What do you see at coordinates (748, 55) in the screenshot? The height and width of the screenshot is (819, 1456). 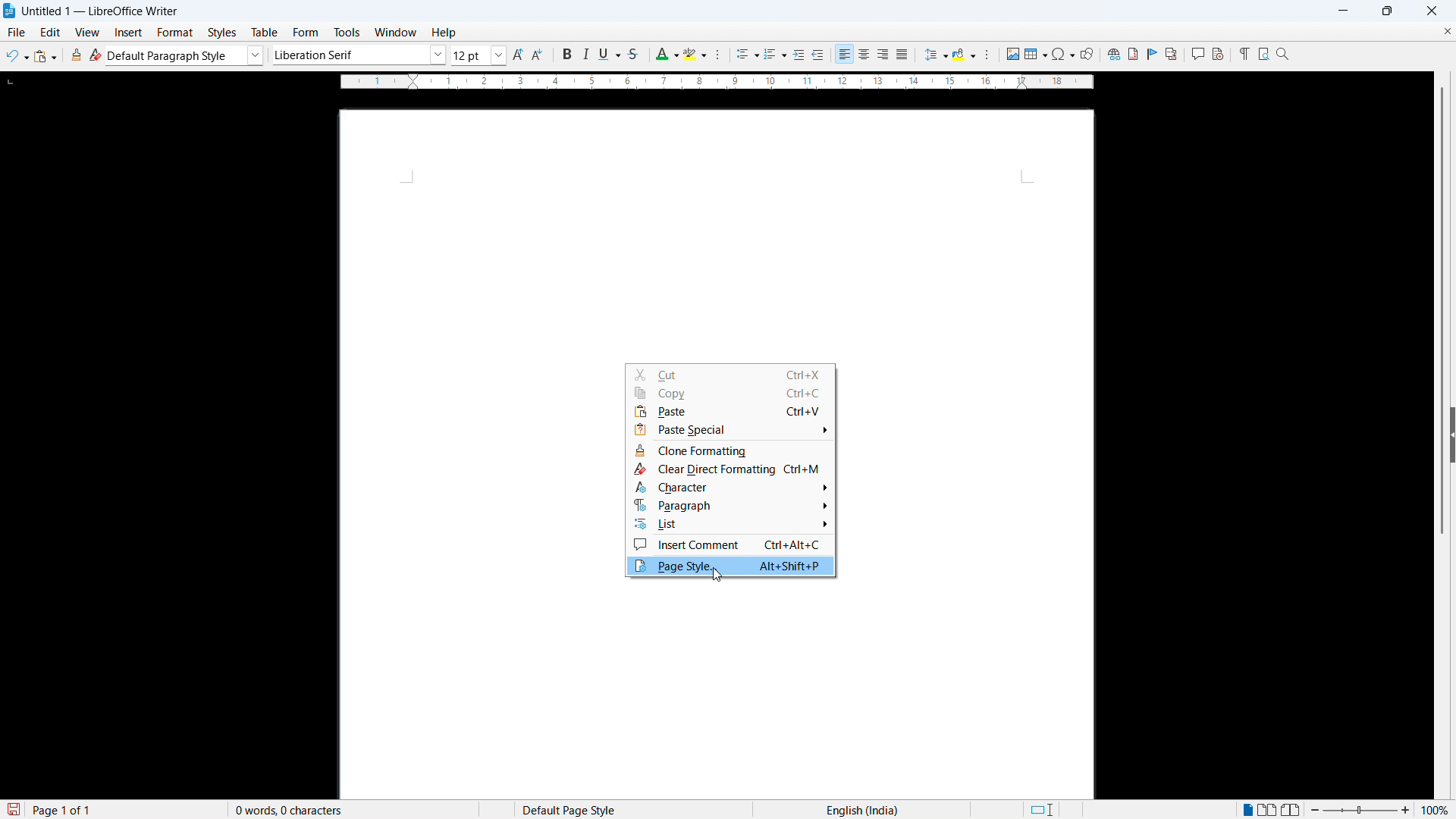 I see `Insert bulleted list ` at bounding box center [748, 55].